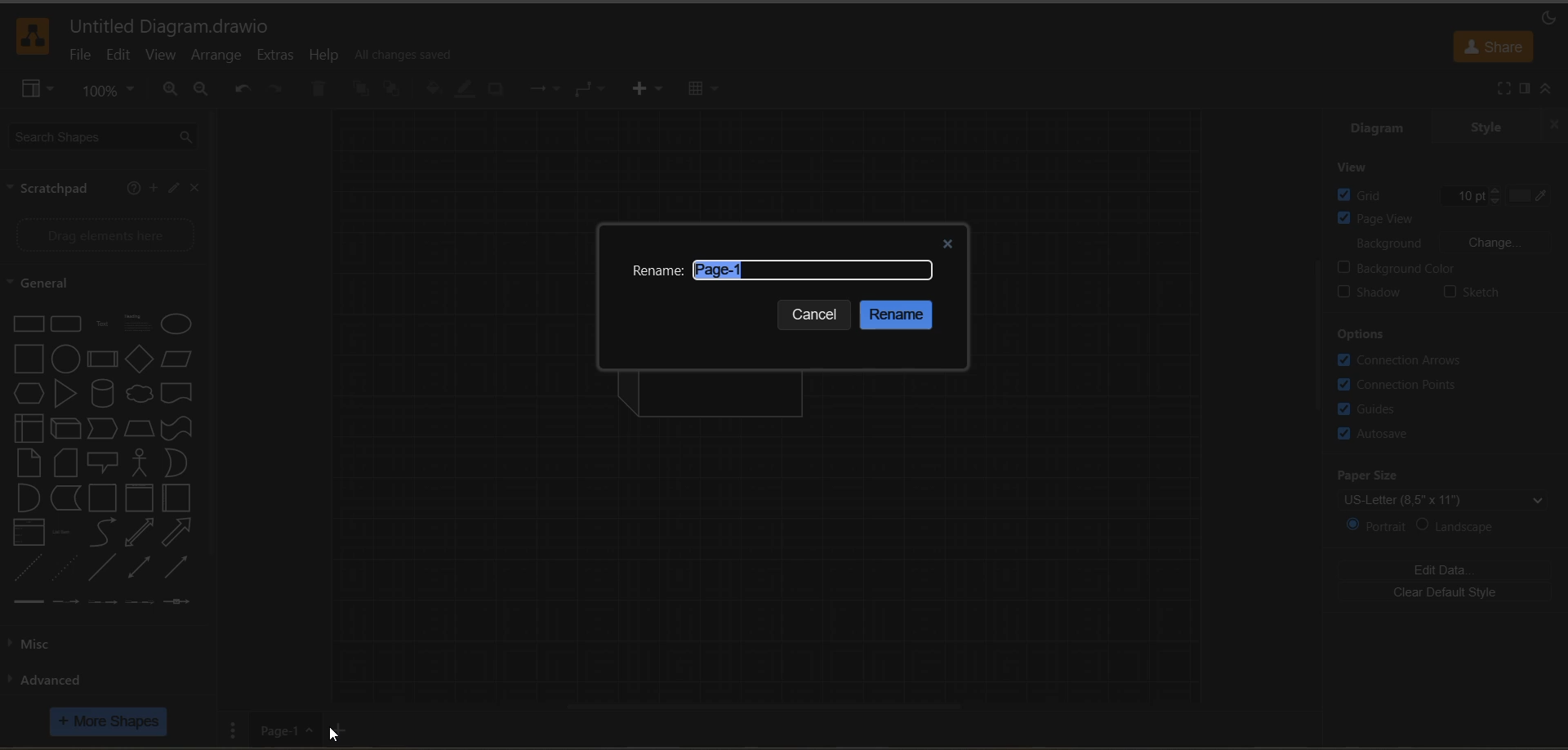  Describe the element at coordinates (1363, 167) in the screenshot. I see `view` at that location.